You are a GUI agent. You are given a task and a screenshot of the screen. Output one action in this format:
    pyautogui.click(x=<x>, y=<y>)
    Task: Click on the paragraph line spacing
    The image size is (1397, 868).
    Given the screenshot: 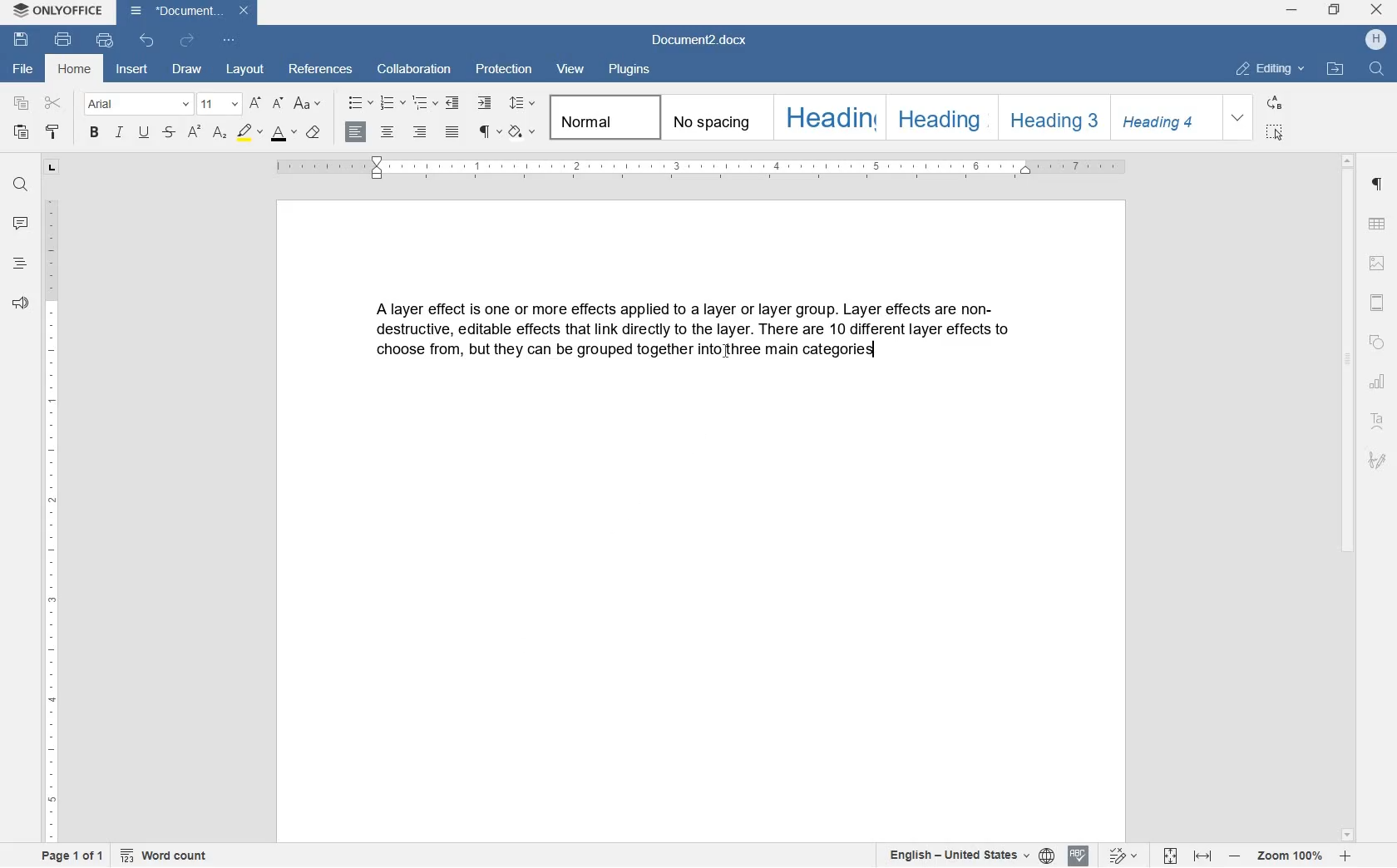 What is the action you would take?
    pyautogui.click(x=524, y=106)
    